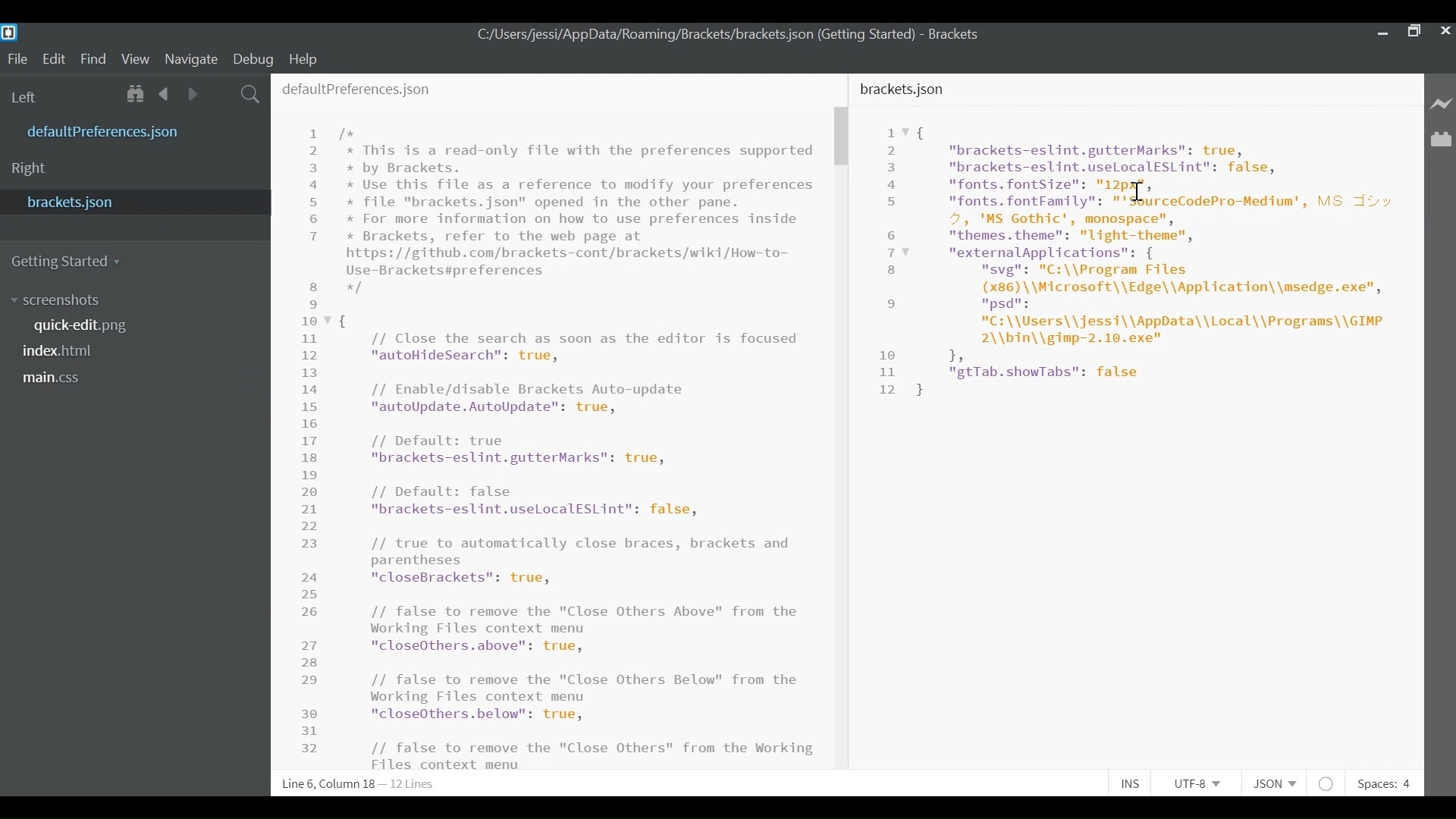  Describe the element at coordinates (358, 89) in the screenshot. I see `defaultPreferences.json` at that location.